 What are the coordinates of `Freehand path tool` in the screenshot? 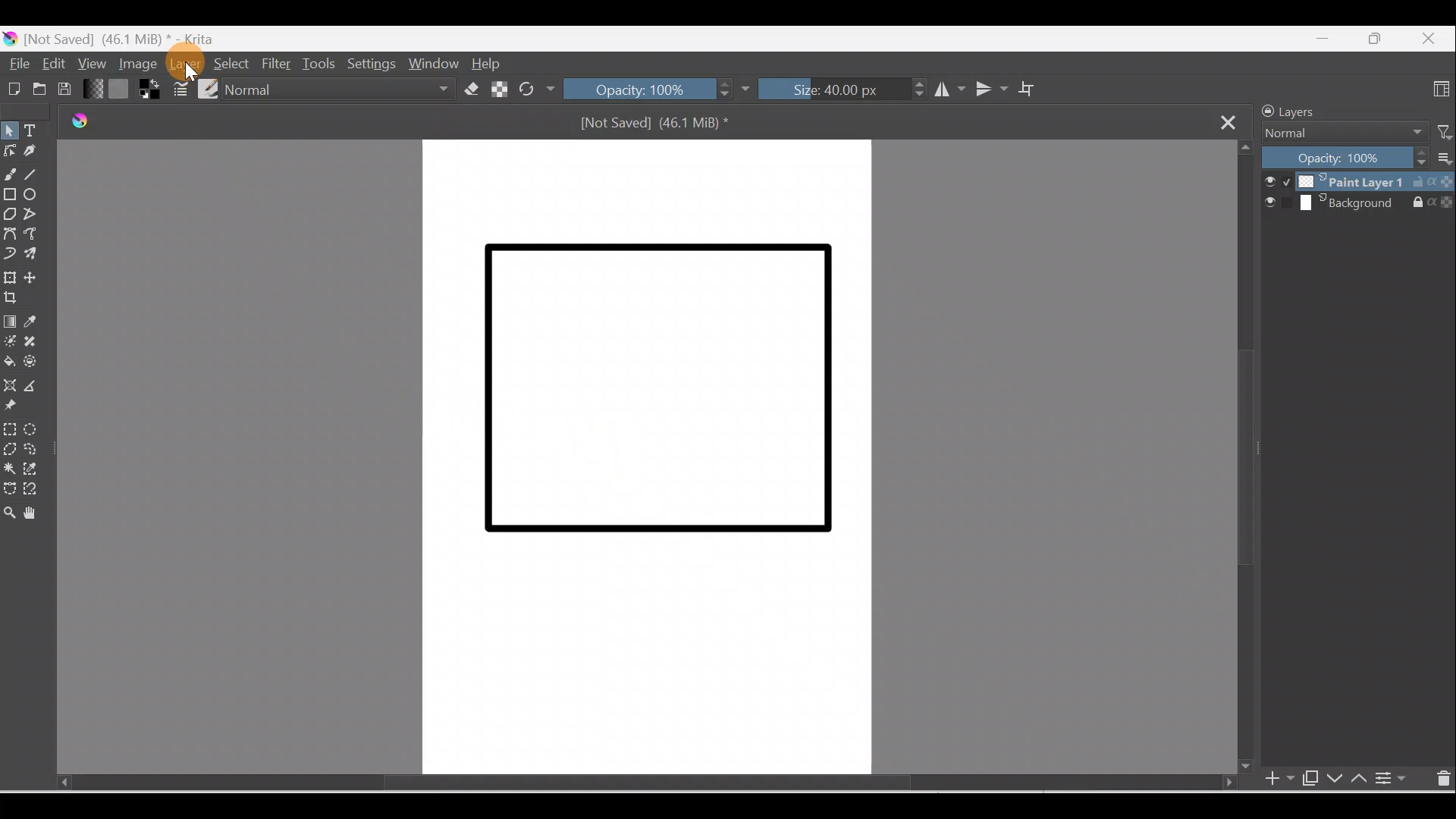 It's located at (38, 237).